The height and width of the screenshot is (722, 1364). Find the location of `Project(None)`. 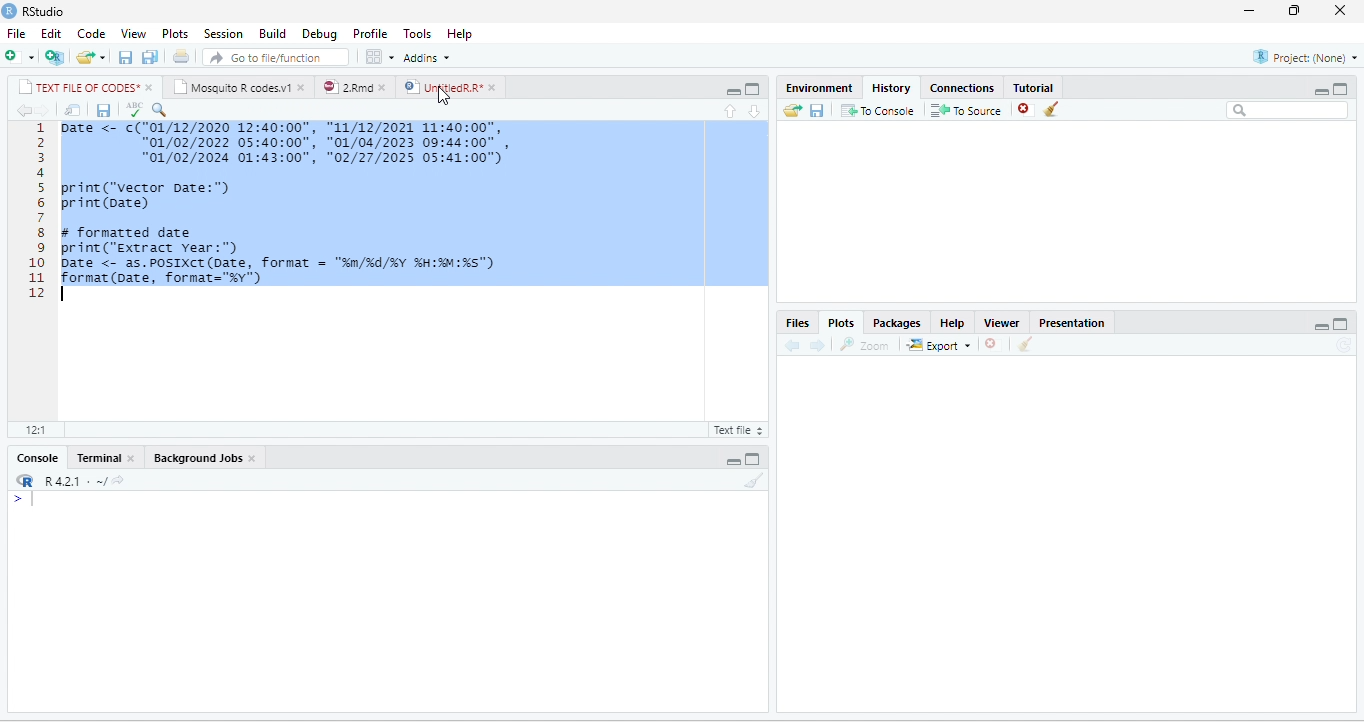

Project(None) is located at coordinates (1305, 57).